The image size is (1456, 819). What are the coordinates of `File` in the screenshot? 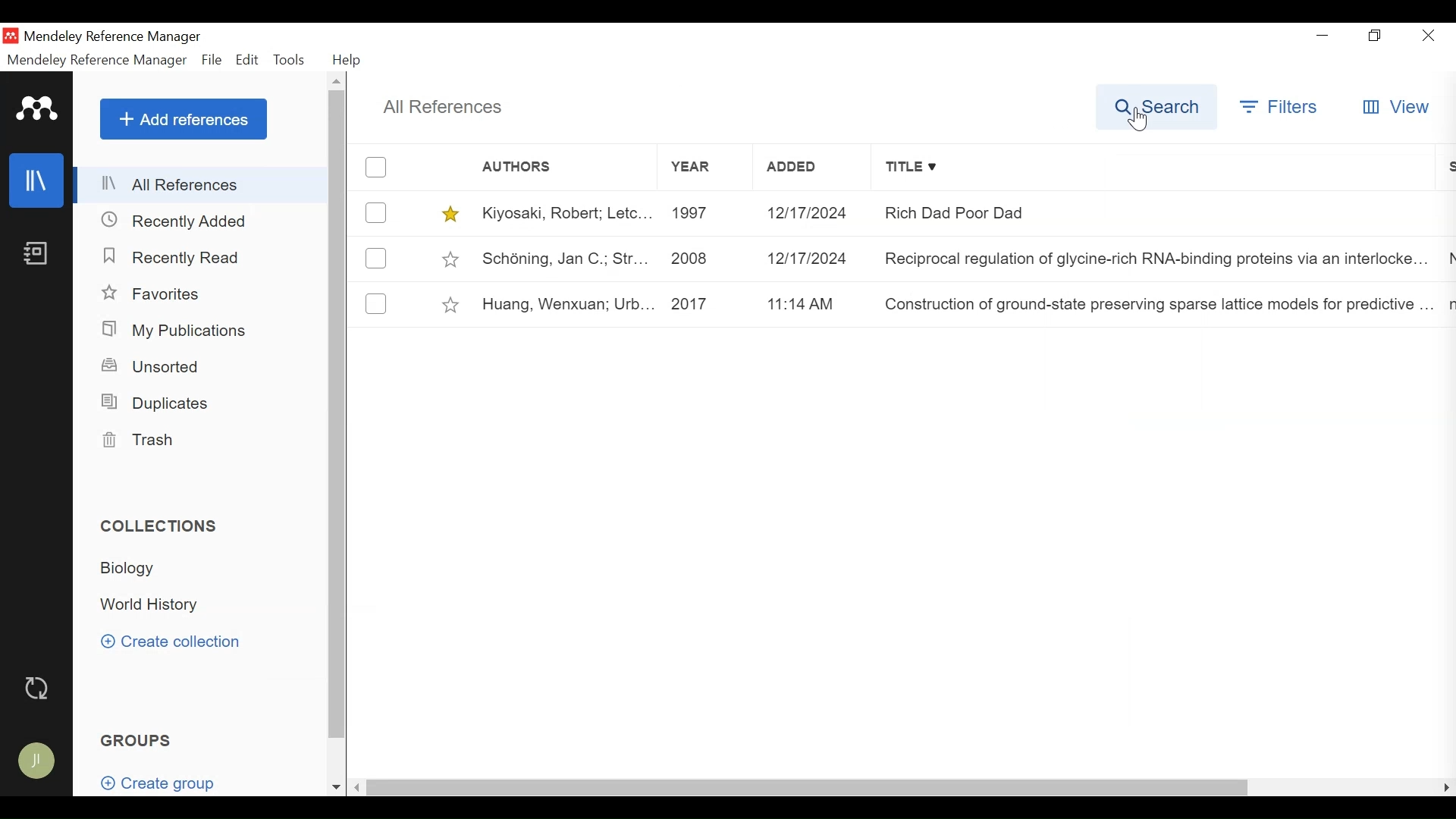 It's located at (210, 60).